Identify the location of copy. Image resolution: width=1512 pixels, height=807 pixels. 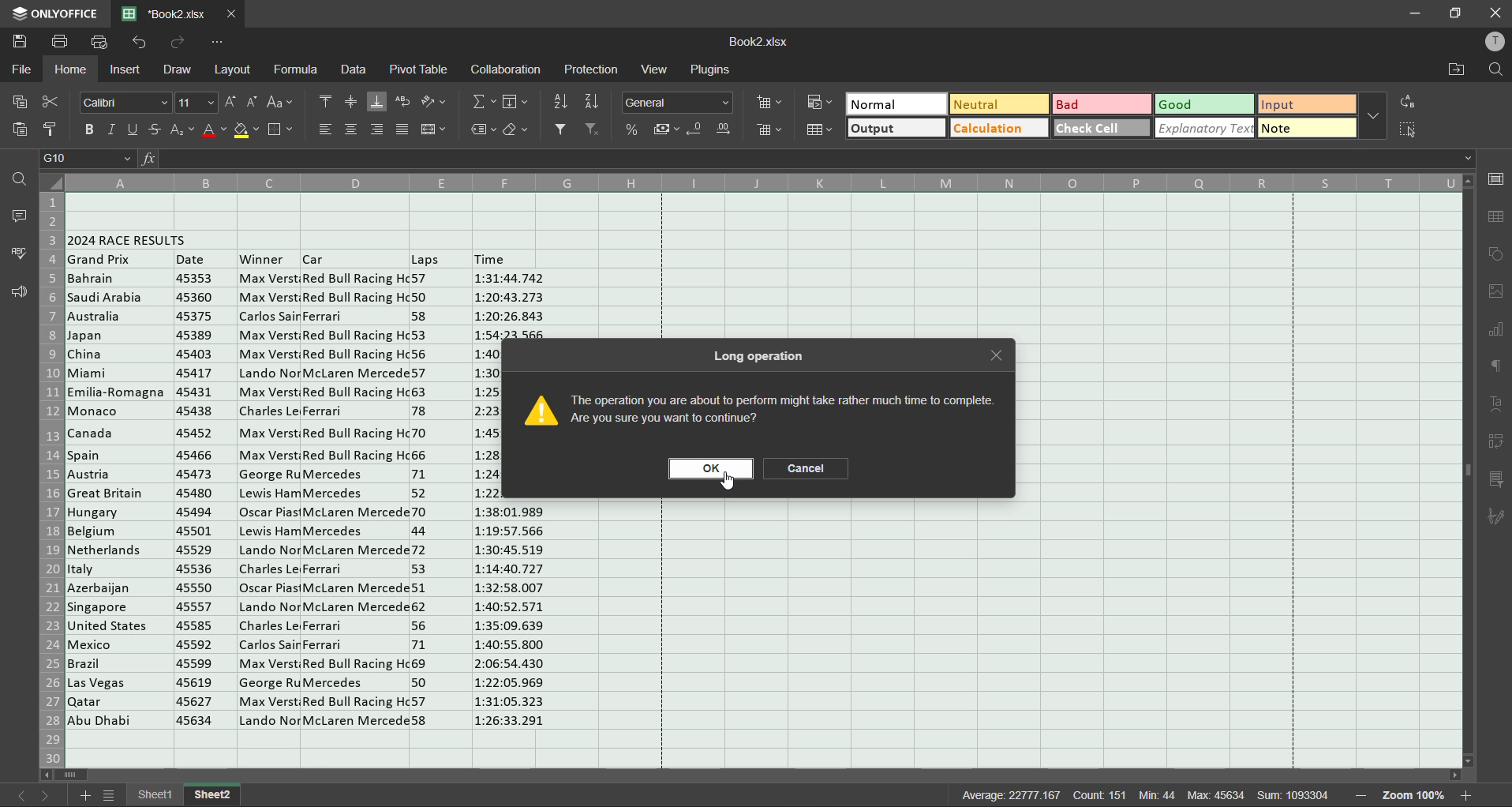
(22, 103).